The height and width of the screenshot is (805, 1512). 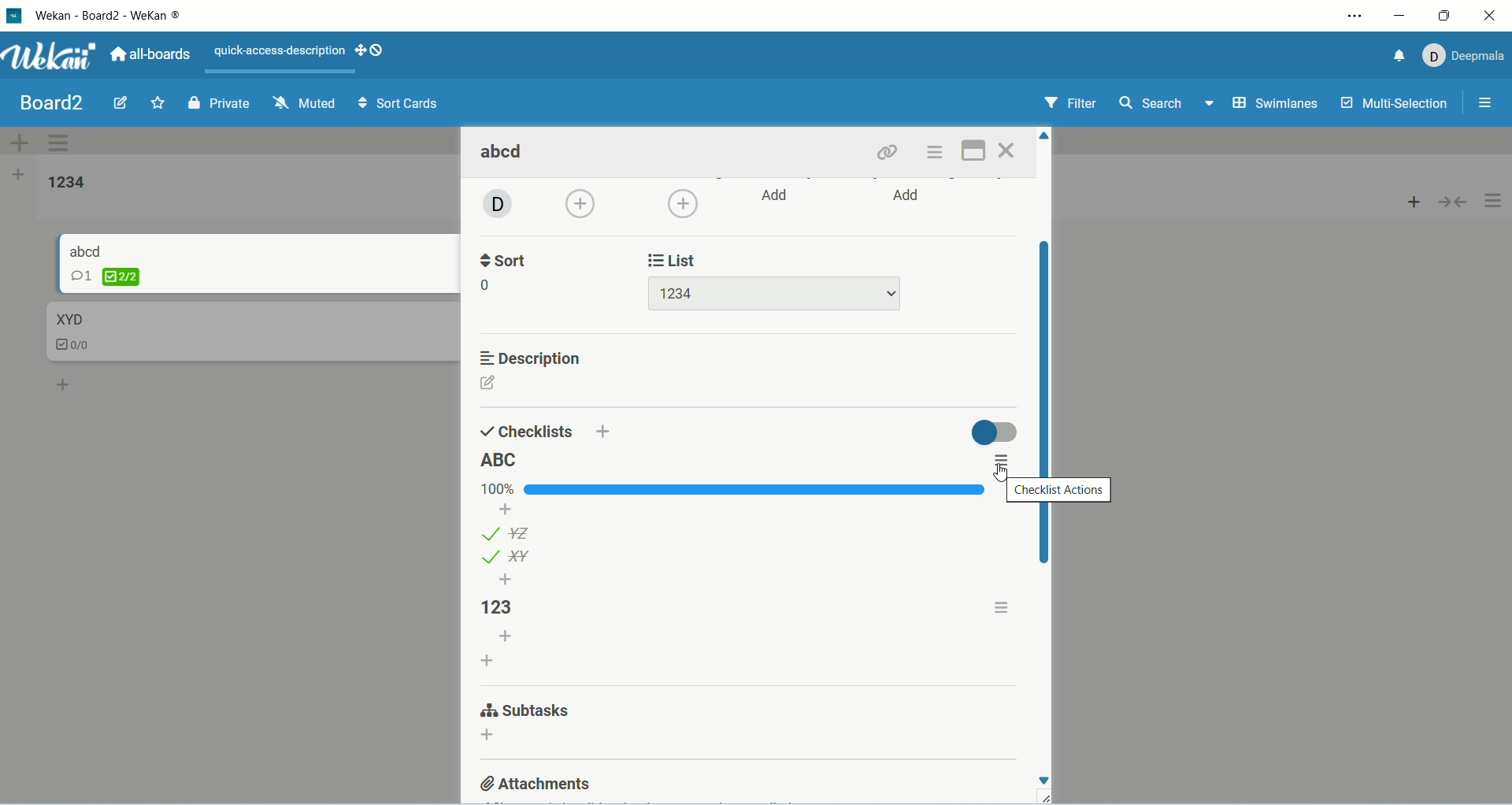 I want to click on scroll up, so click(x=1046, y=135).